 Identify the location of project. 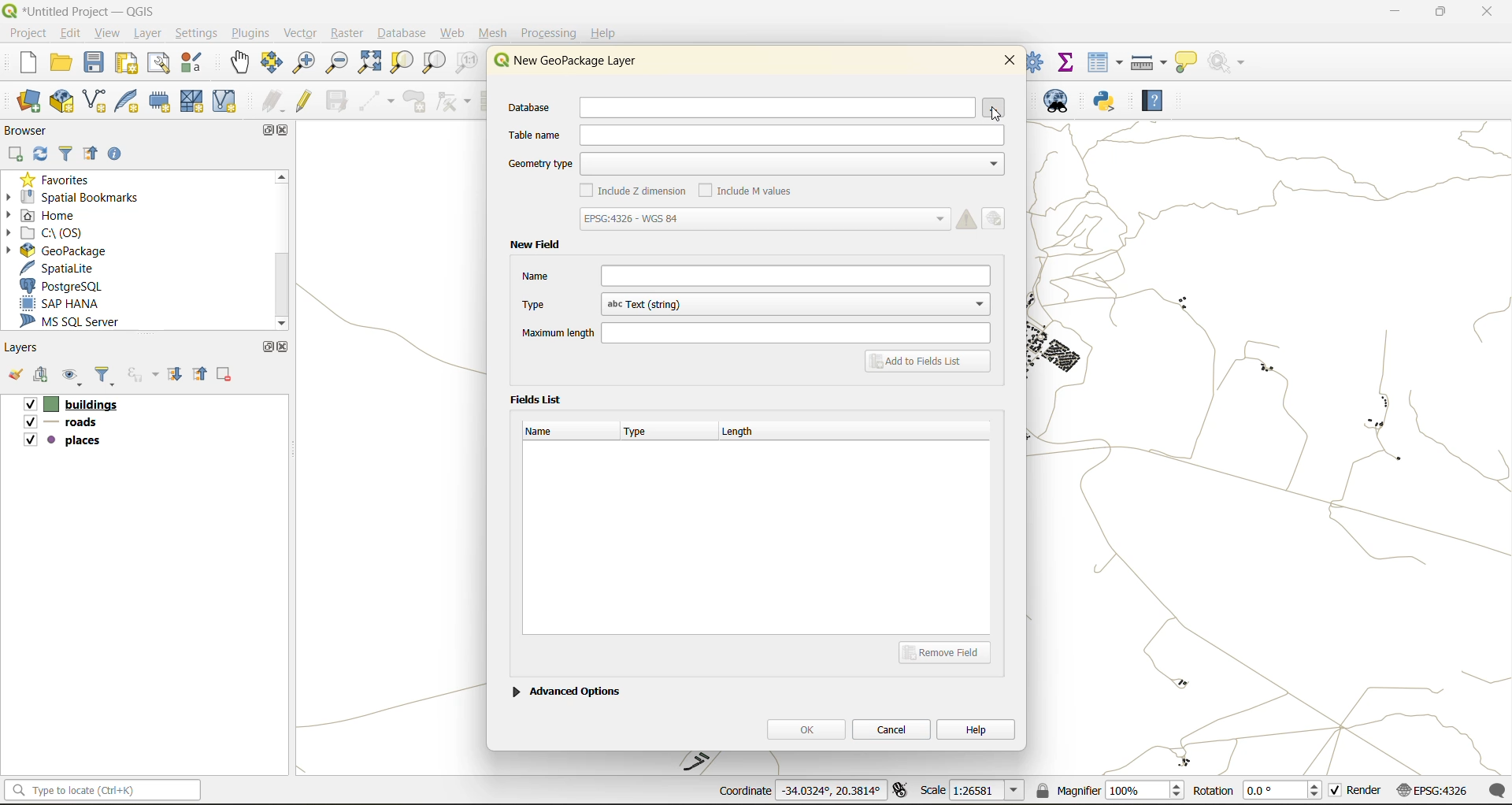
(27, 32).